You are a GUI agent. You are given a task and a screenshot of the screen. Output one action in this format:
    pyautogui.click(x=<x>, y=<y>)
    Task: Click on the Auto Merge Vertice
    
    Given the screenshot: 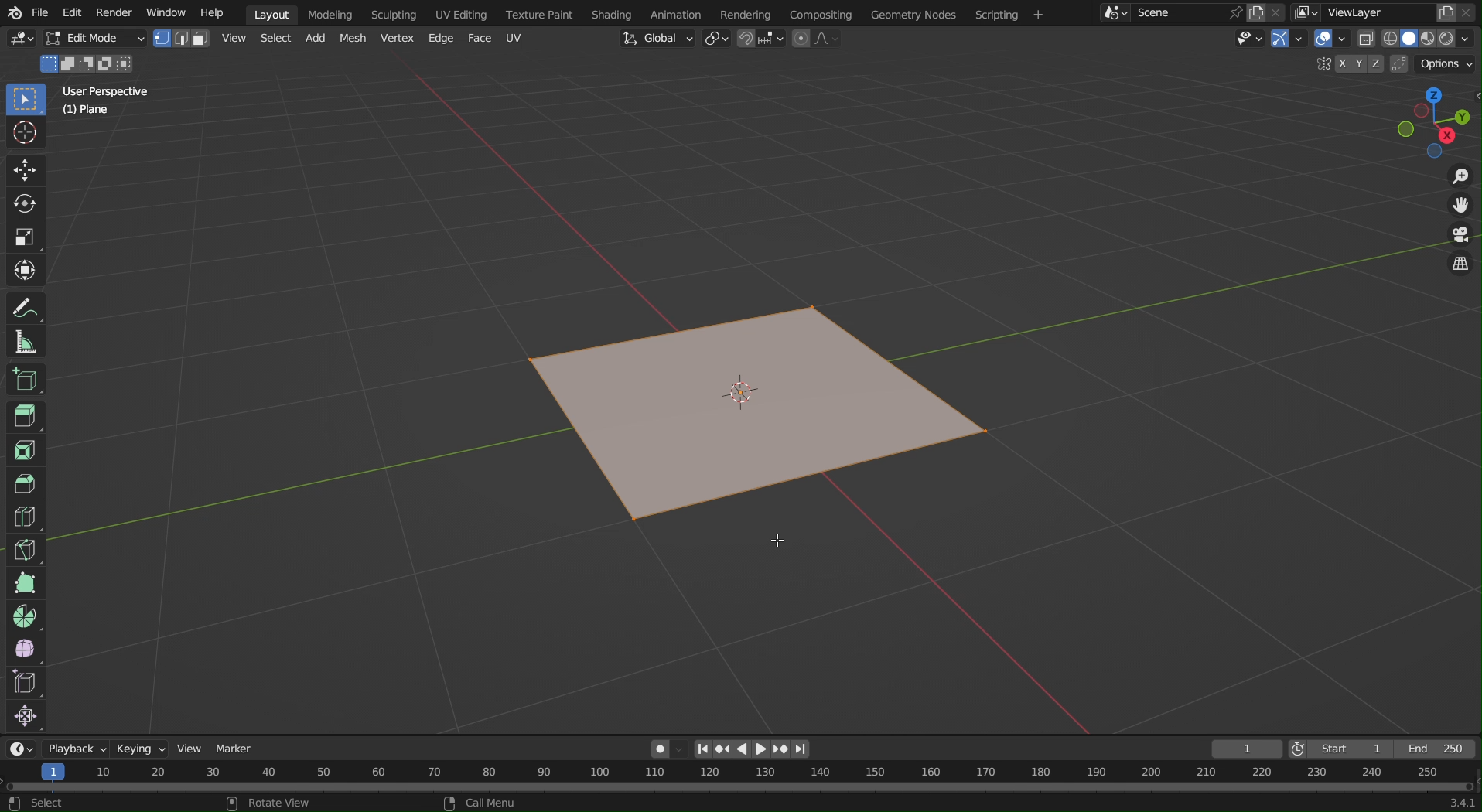 What is the action you would take?
    pyautogui.click(x=1397, y=63)
    